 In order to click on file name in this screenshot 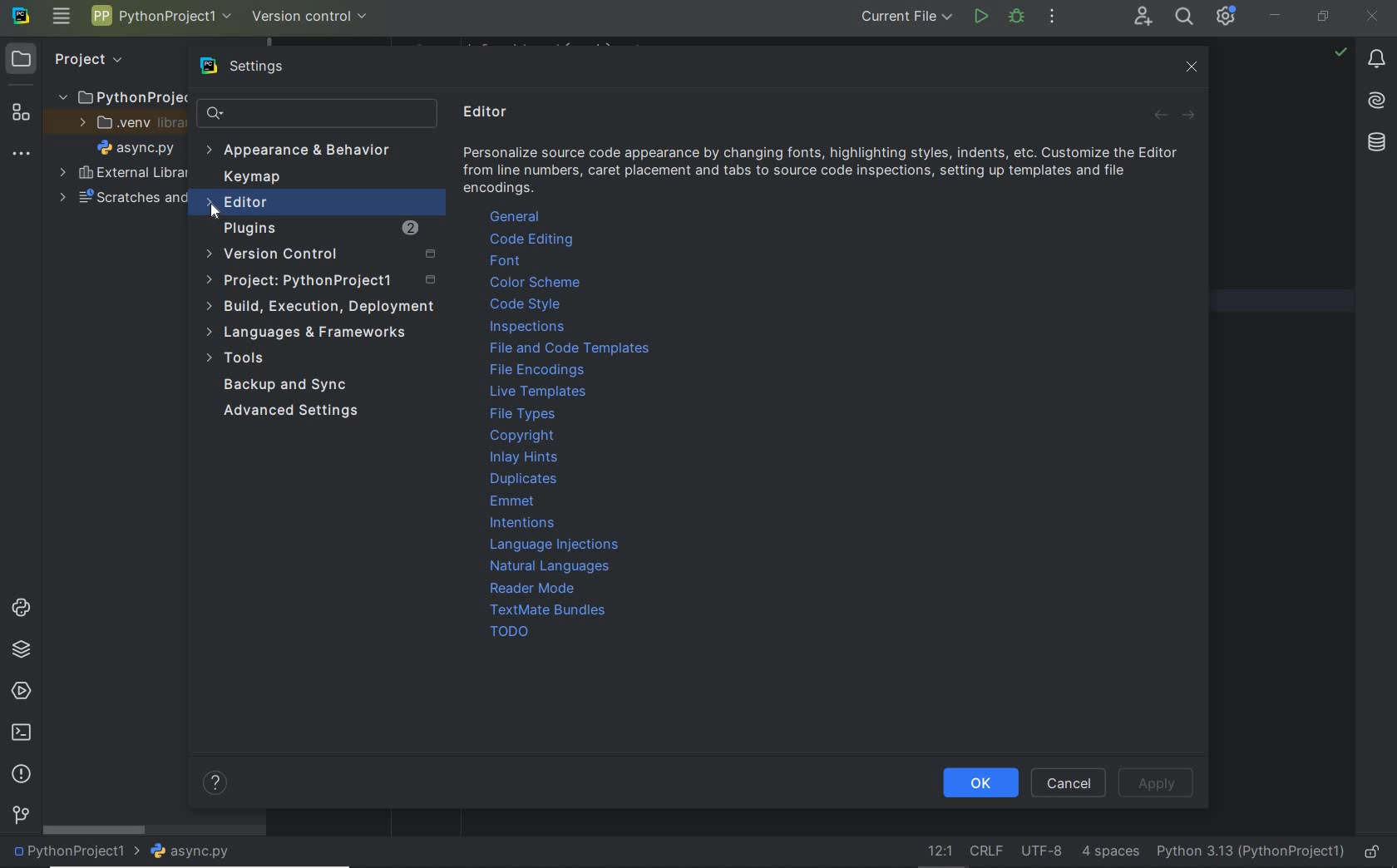, I will do `click(196, 851)`.